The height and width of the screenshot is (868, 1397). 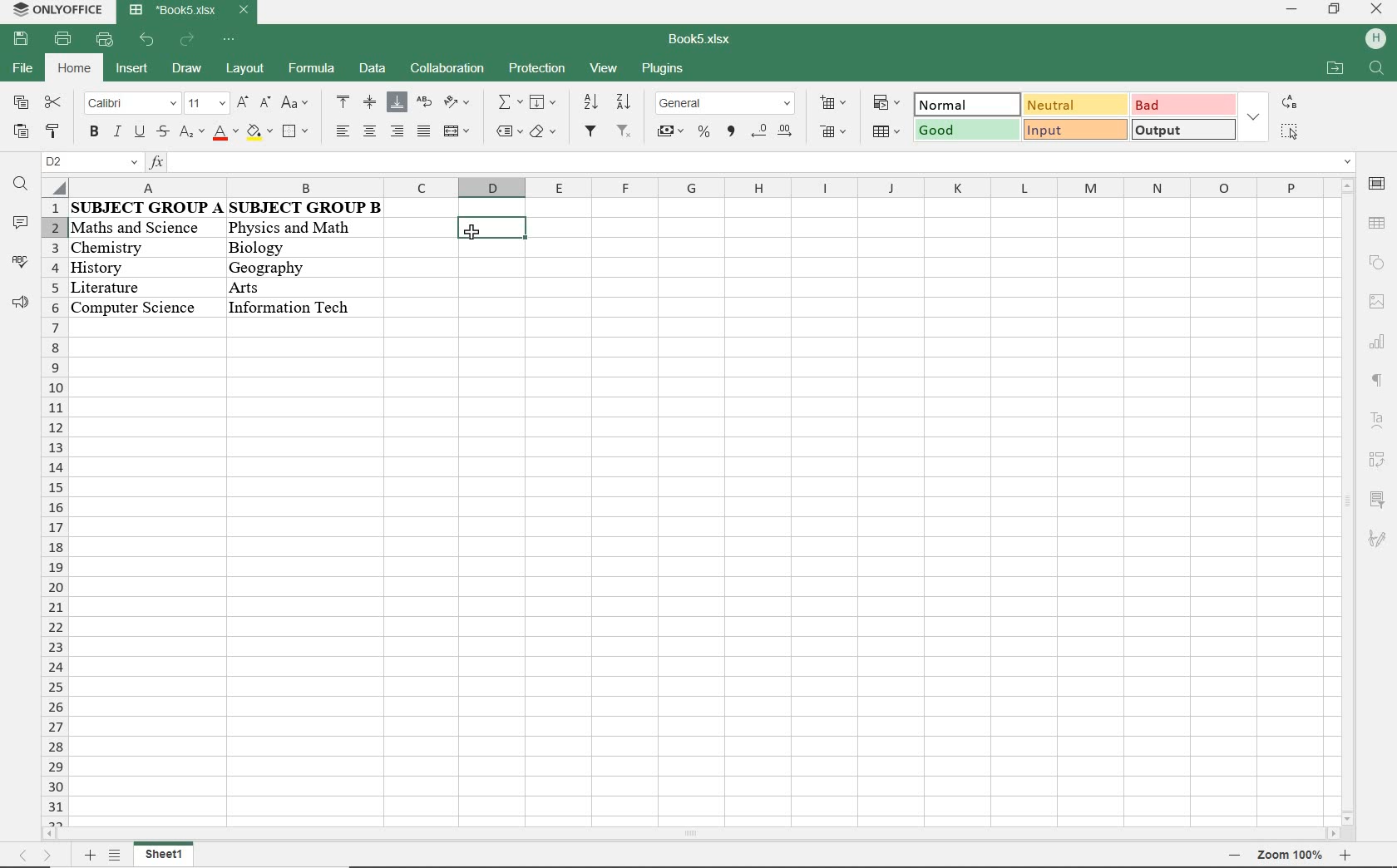 I want to click on filter, so click(x=590, y=132).